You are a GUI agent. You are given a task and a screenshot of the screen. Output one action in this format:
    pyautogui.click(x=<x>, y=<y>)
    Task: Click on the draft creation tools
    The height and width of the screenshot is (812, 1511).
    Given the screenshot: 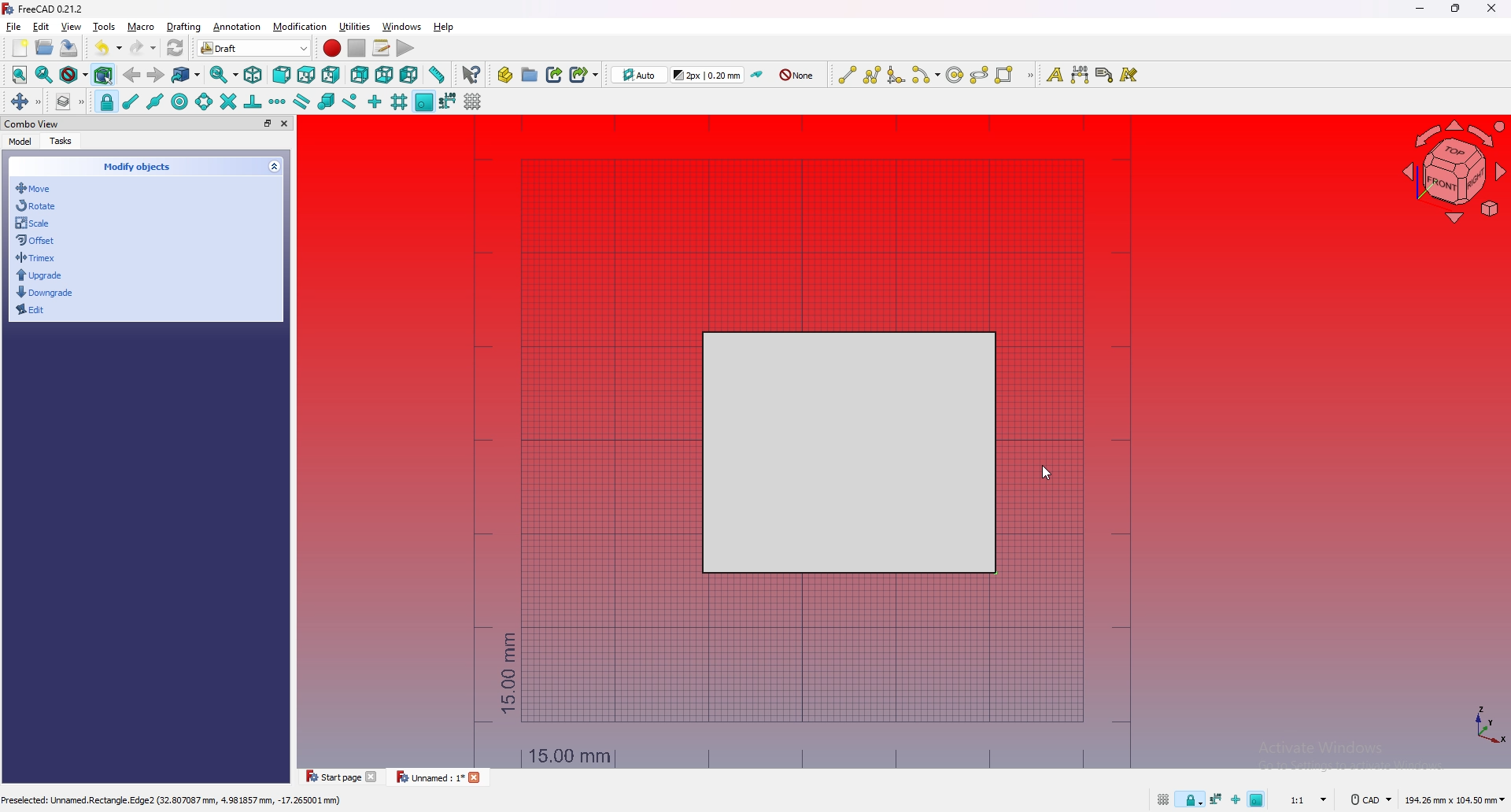 What is the action you would take?
    pyautogui.click(x=1029, y=76)
    